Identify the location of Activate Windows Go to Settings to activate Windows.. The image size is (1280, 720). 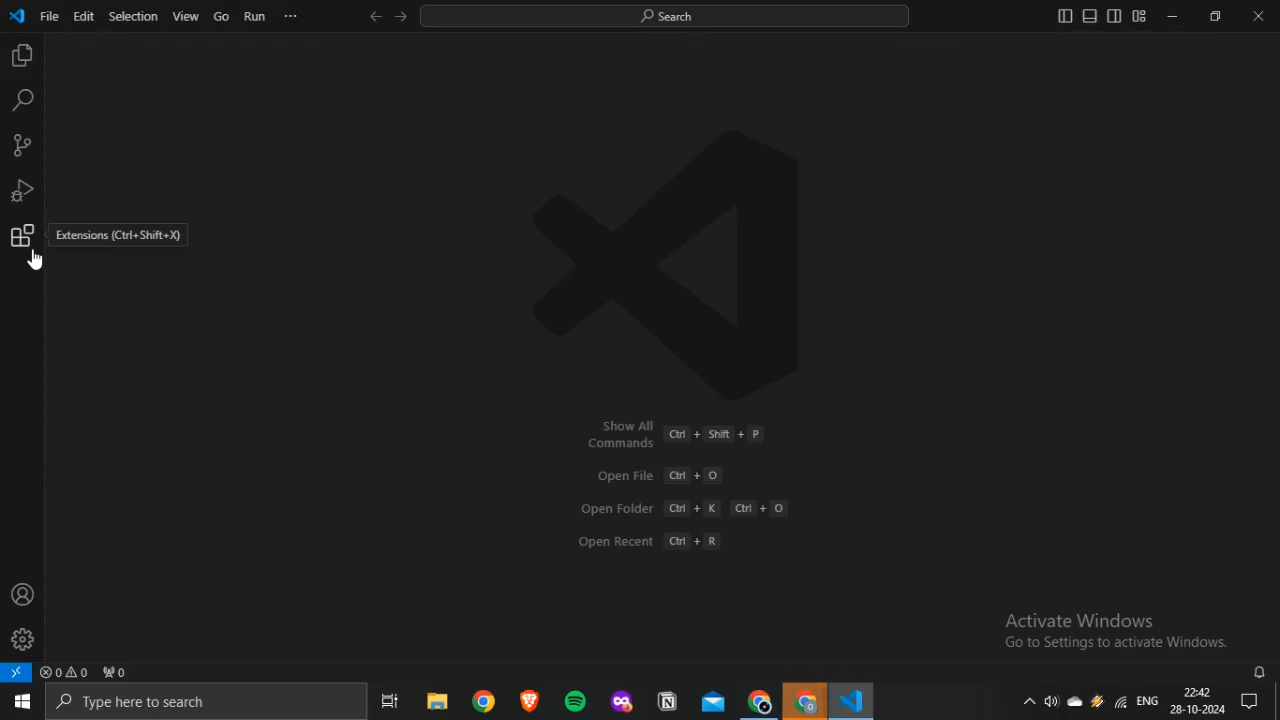
(1117, 630).